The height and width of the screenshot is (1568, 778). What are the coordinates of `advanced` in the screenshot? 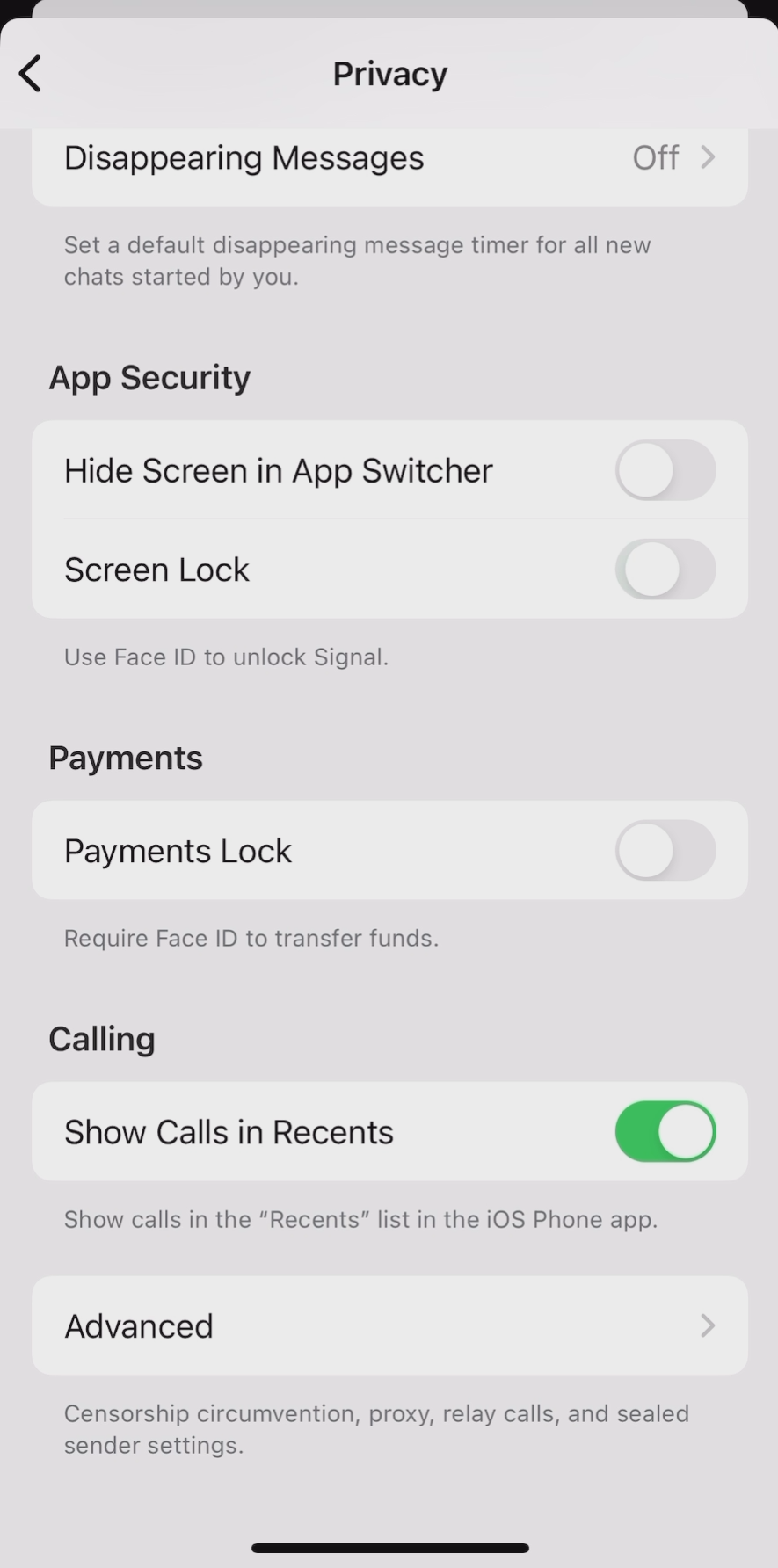 It's located at (386, 1331).